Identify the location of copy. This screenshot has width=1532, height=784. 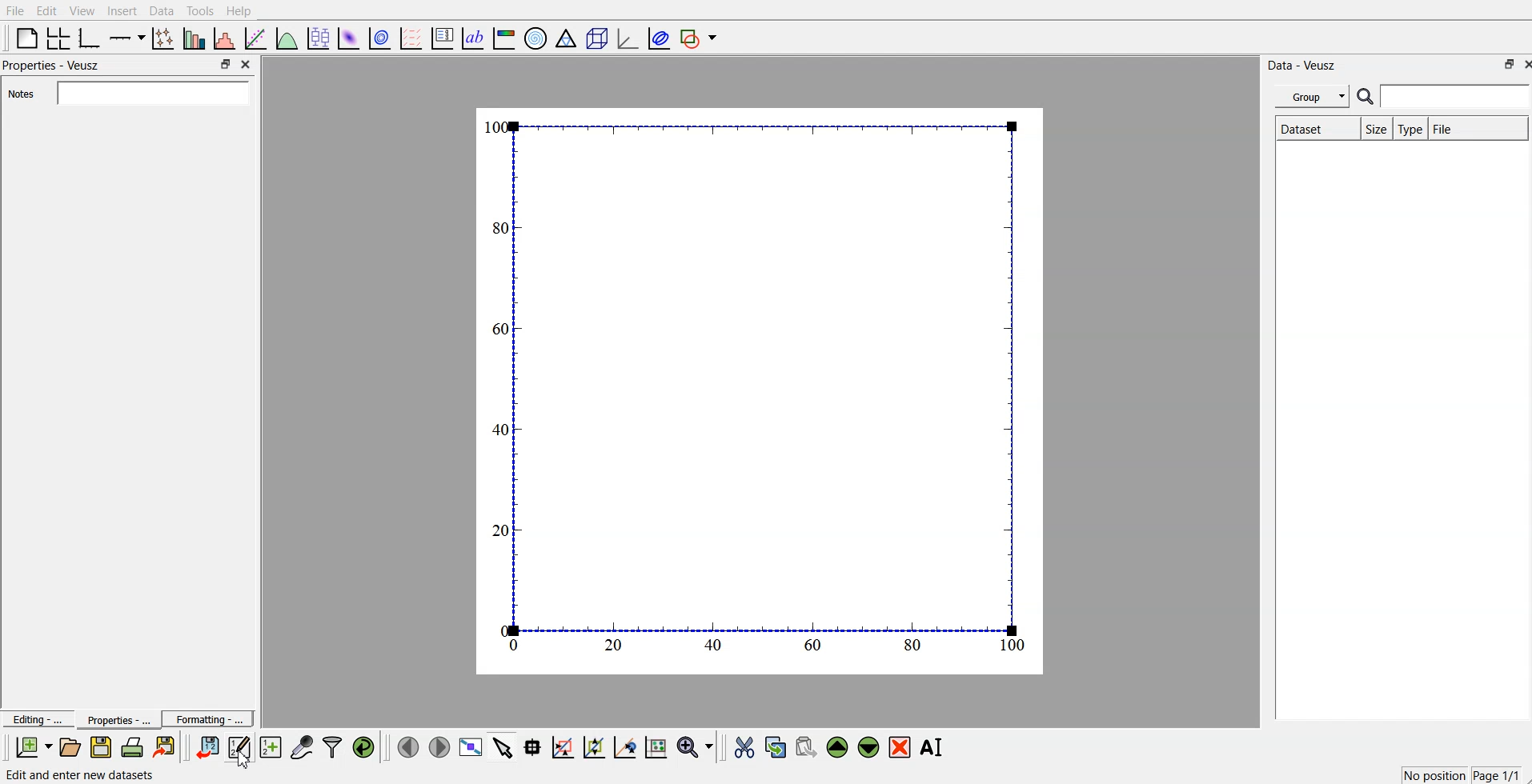
(777, 744).